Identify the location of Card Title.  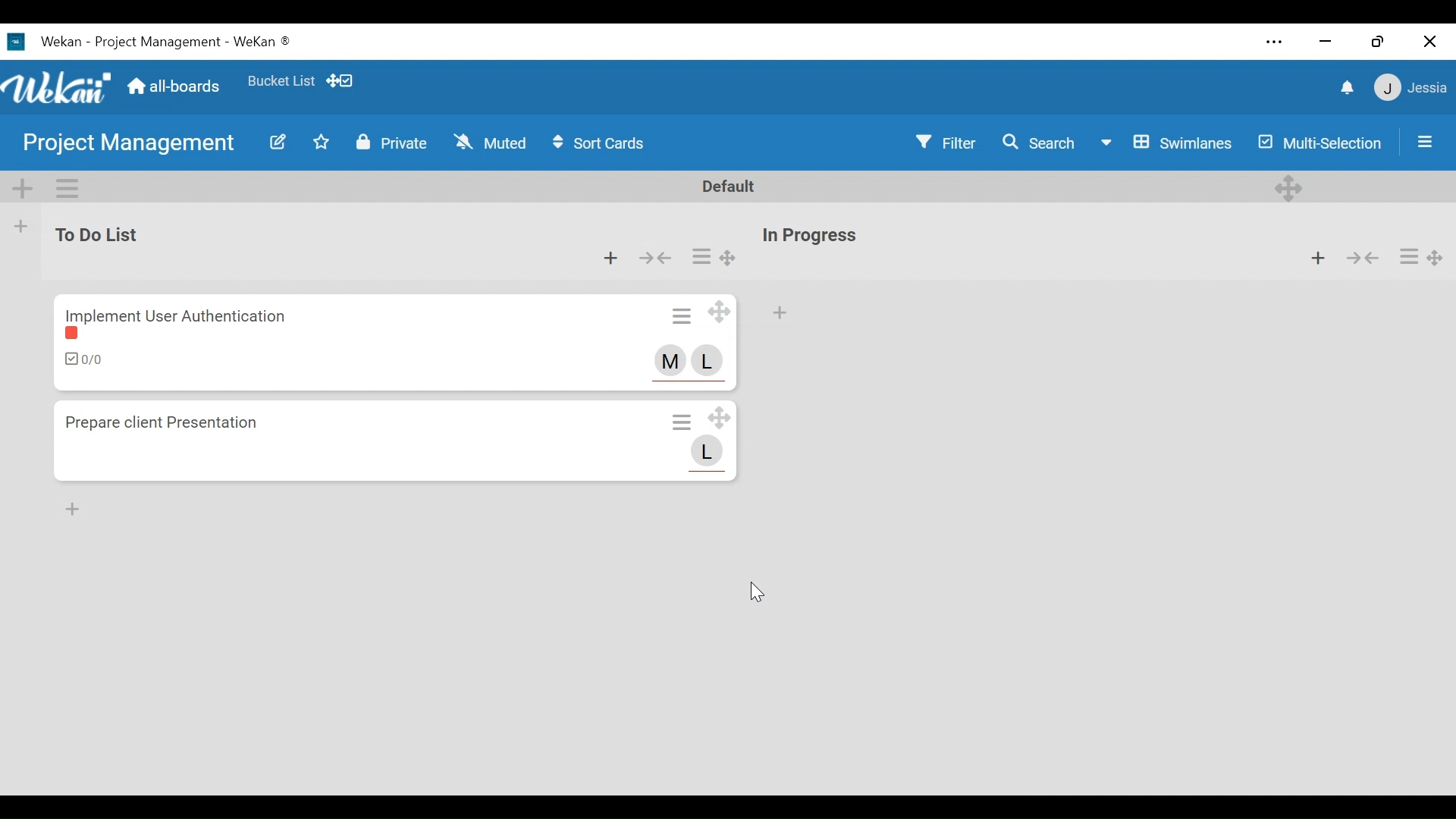
(175, 313).